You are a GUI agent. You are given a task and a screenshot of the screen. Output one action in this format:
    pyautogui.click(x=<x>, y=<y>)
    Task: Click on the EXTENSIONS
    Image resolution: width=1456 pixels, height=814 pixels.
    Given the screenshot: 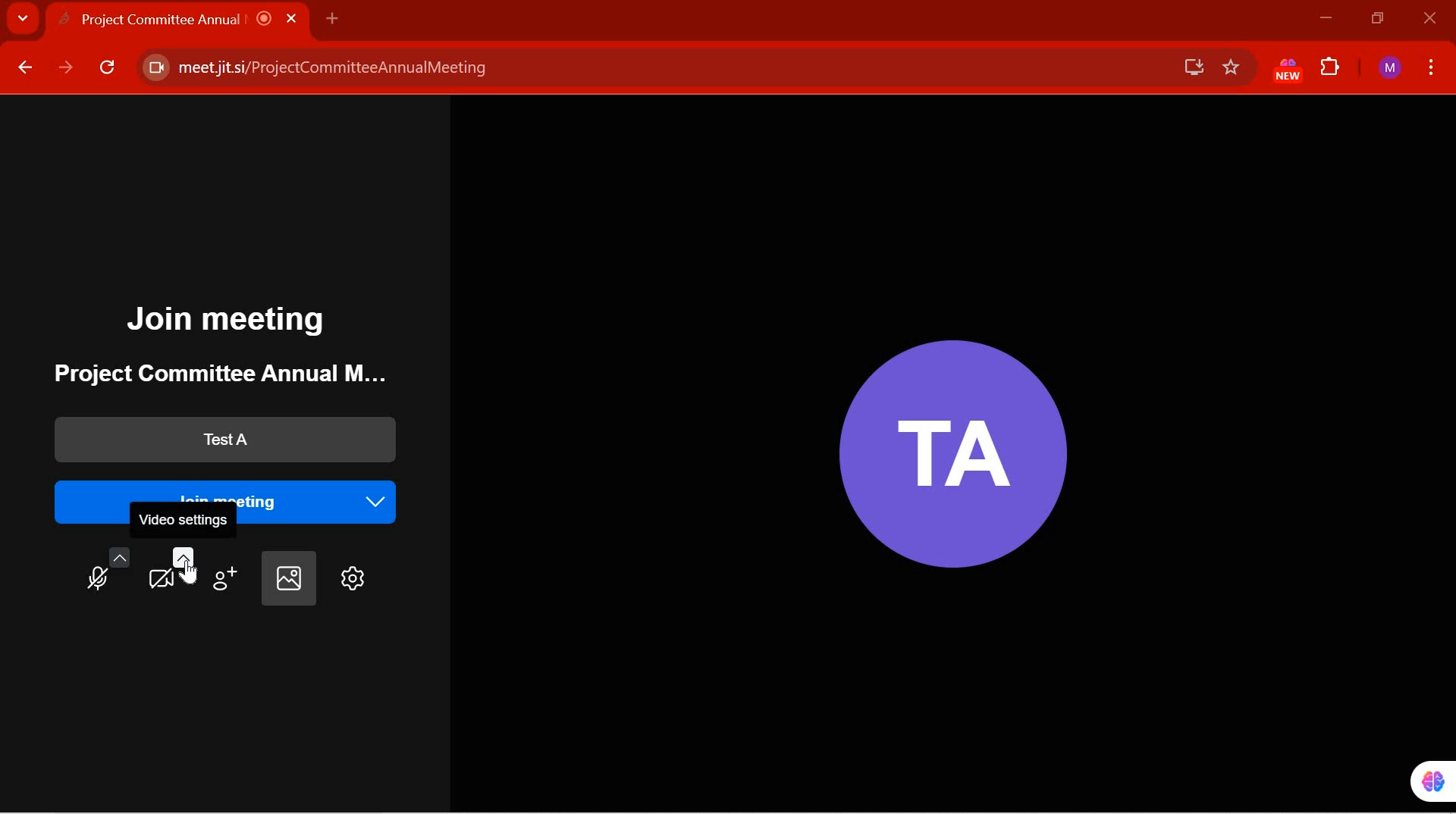 What is the action you would take?
    pyautogui.click(x=1332, y=69)
    